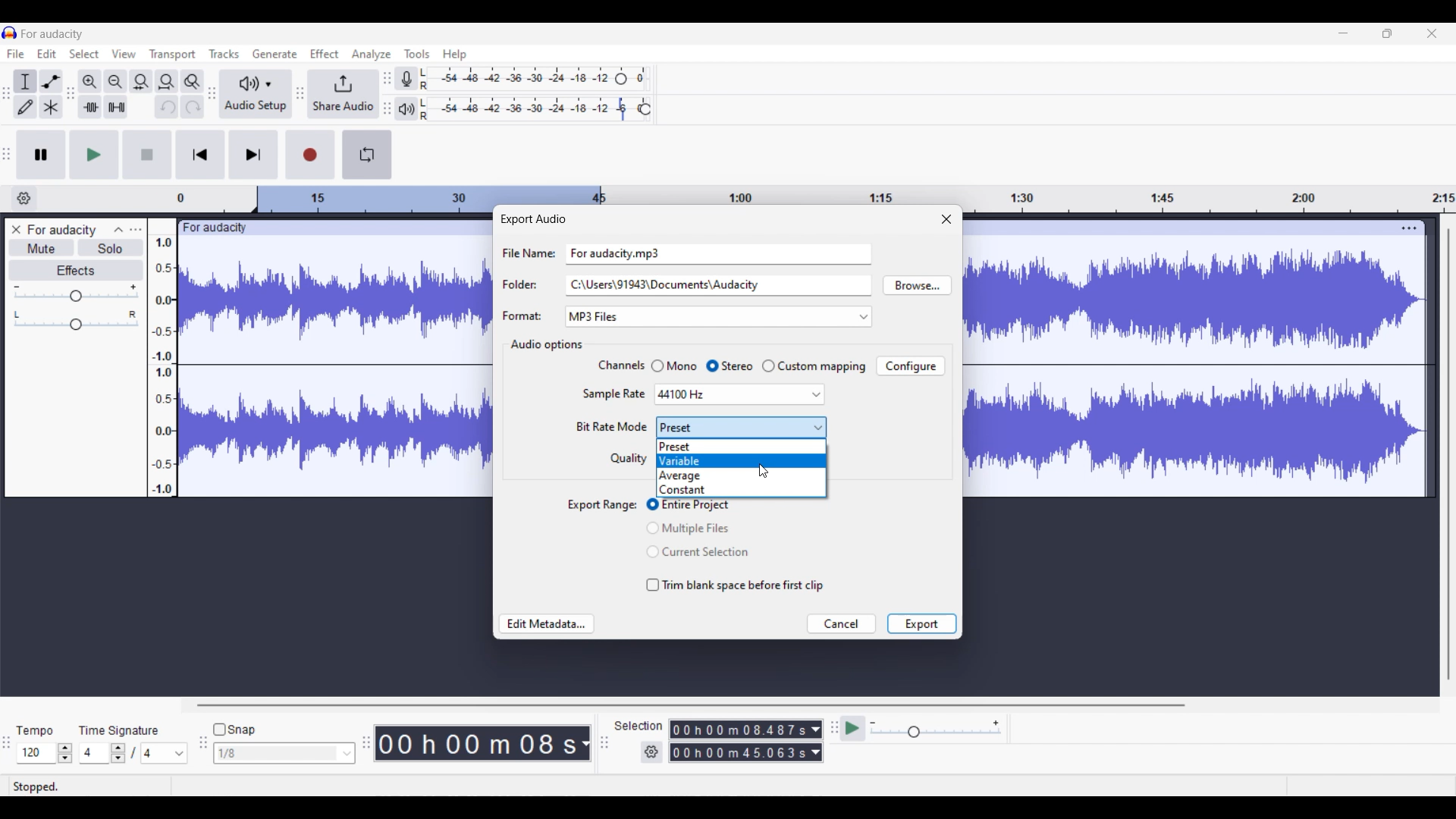  What do you see at coordinates (407, 79) in the screenshot?
I see `Record meter` at bounding box center [407, 79].